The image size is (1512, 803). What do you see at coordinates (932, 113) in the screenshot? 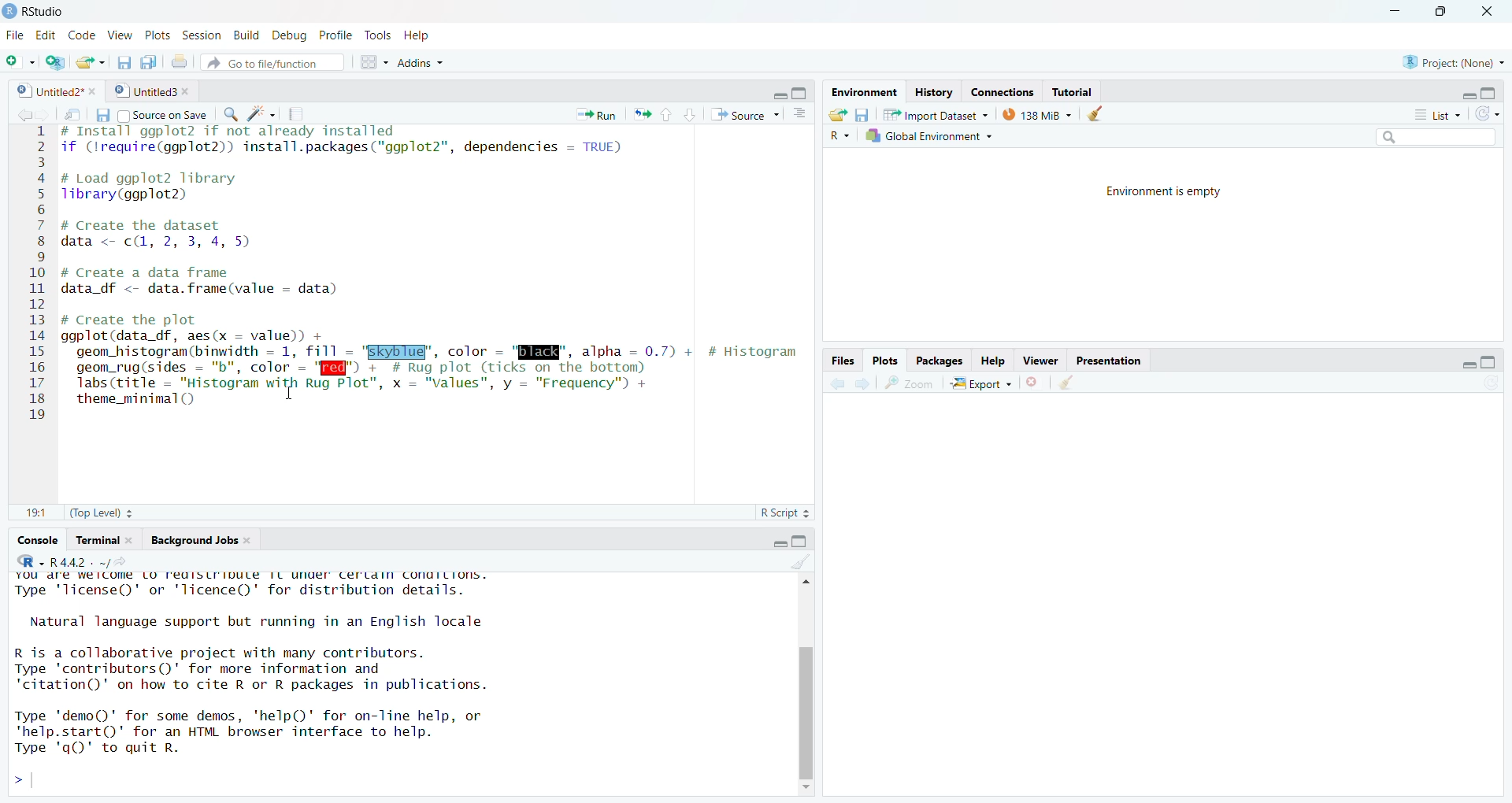
I see `57% 1mnort Dataset ~` at bounding box center [932, 113].